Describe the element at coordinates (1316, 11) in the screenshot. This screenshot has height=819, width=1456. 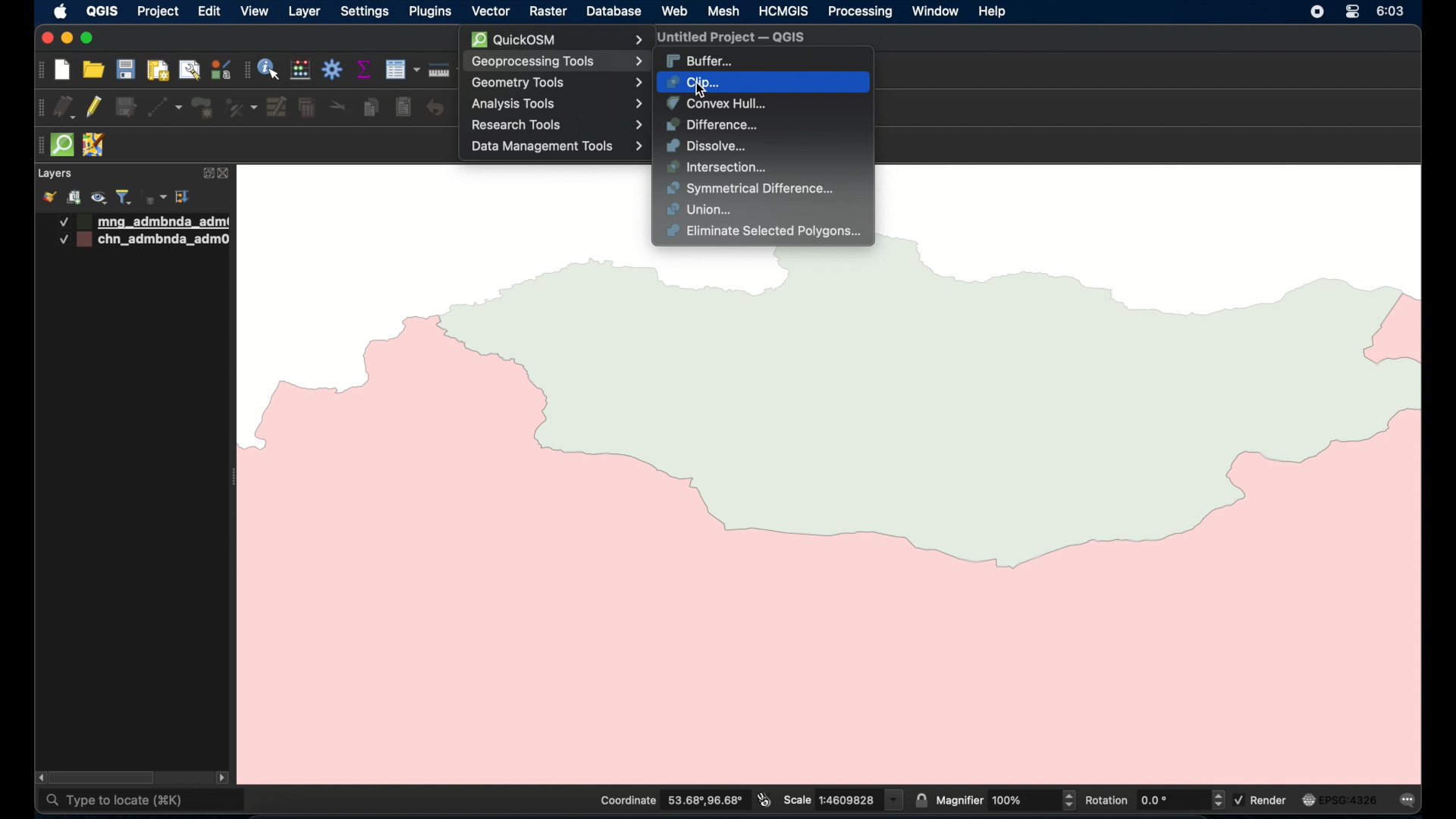
I see `screen recorder icon` at that location.